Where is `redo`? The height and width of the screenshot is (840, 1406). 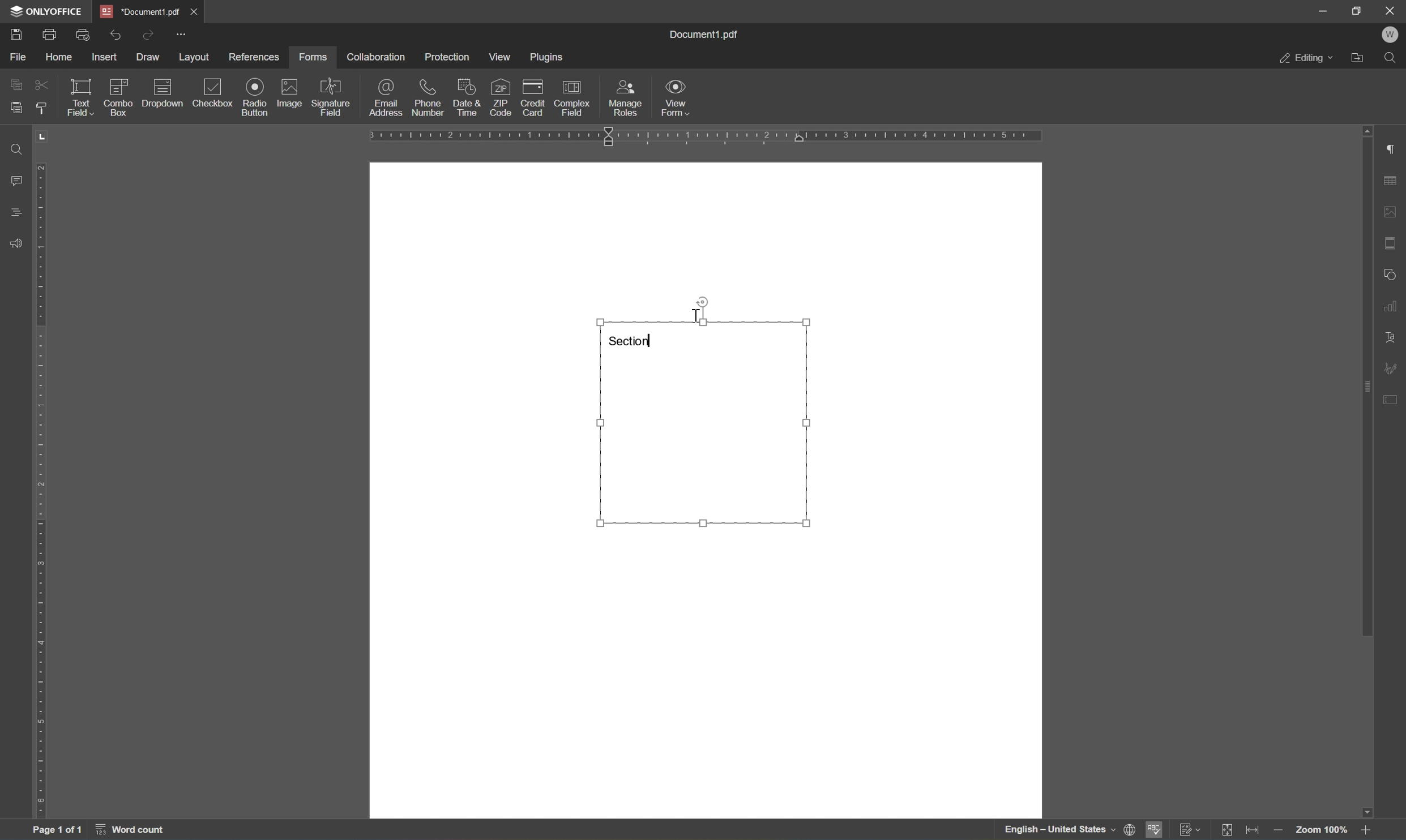
redo is located at coordinates (147, 34).